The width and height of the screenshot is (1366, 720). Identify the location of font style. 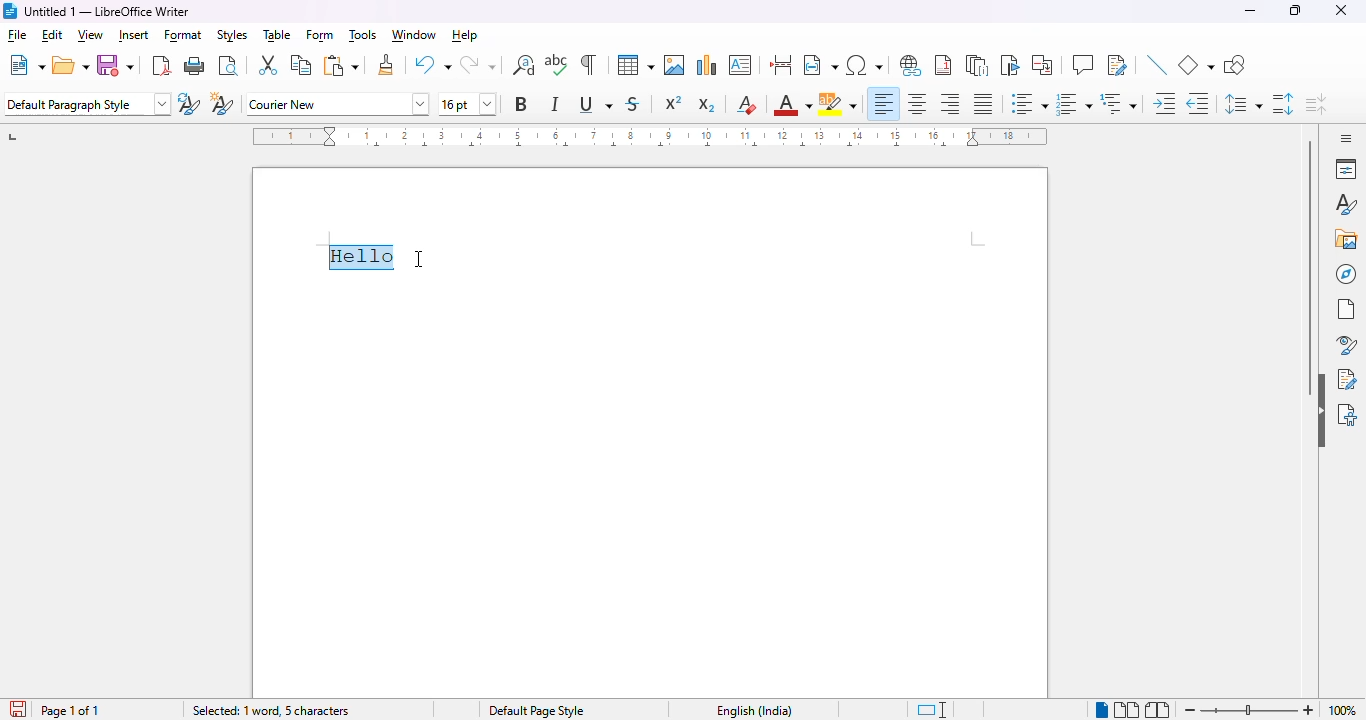
(338, 103).